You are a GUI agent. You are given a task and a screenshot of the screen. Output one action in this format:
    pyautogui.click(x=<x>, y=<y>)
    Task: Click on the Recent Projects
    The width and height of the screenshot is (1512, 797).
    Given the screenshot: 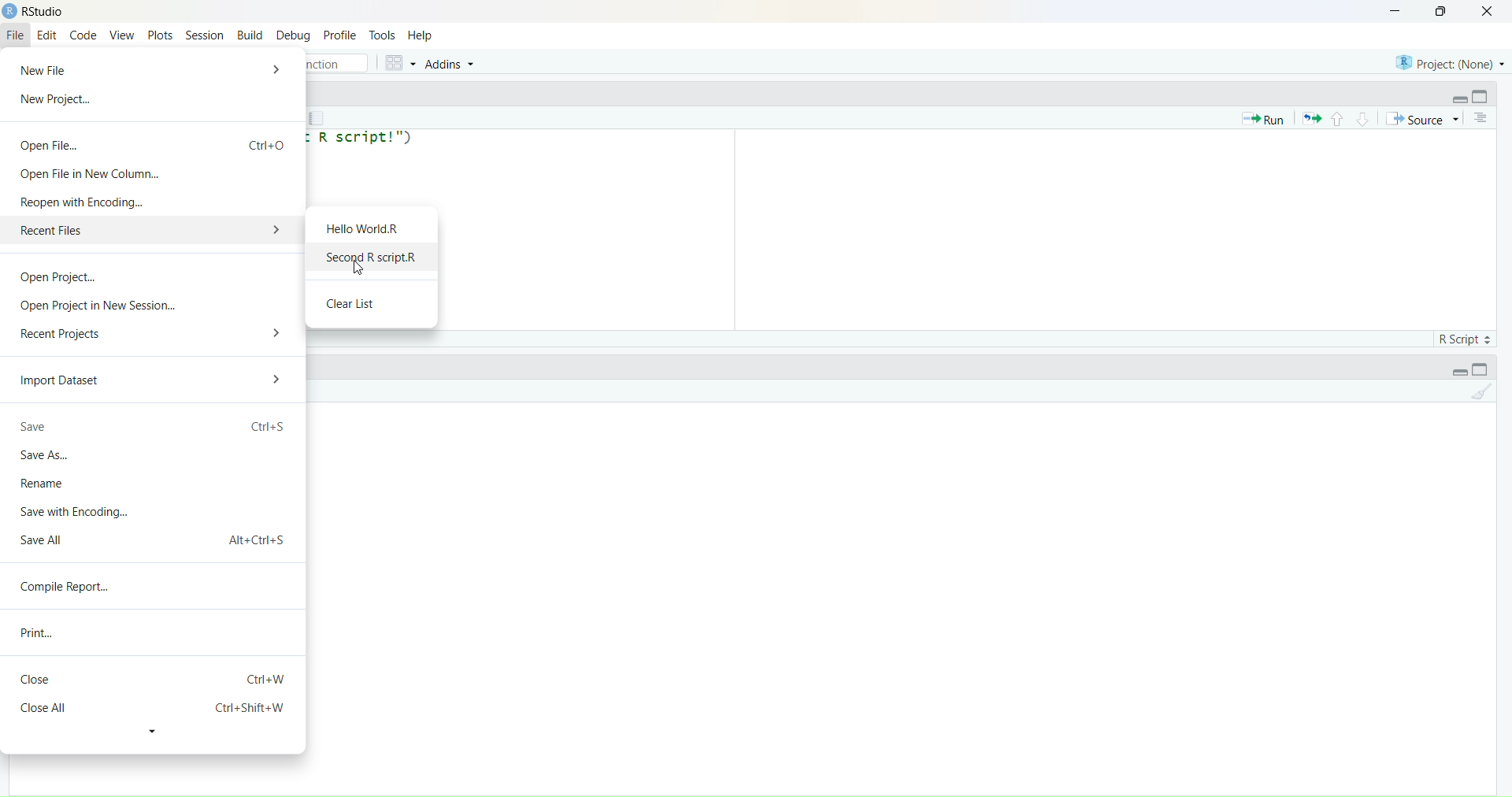 What is the action you would take?
    pyautogui.click(x=63, y=332)
    